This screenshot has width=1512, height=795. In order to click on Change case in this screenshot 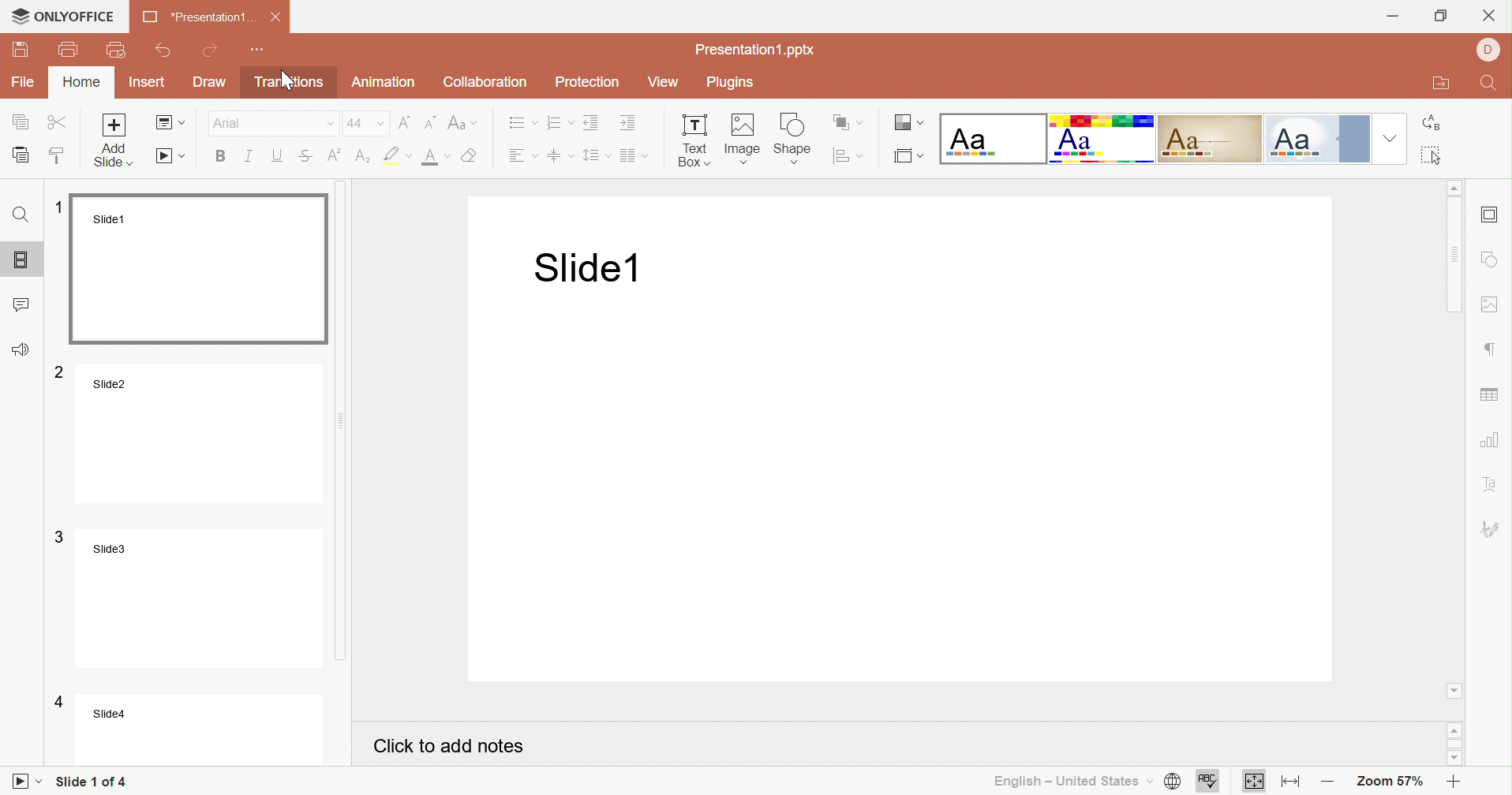, I will do `click(462, 123)`.